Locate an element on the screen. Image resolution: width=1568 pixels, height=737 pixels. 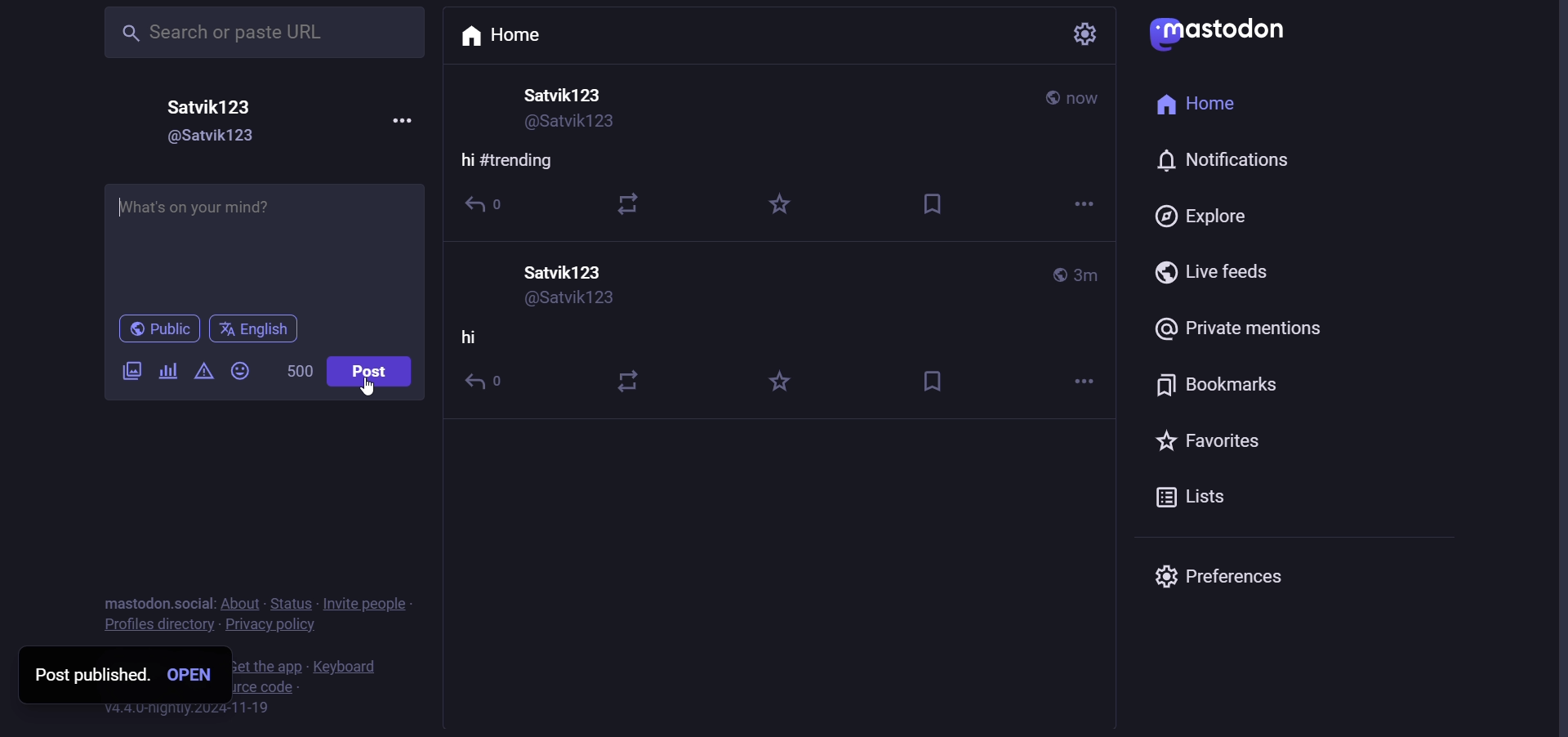
user is located at coordinates (568, 94).